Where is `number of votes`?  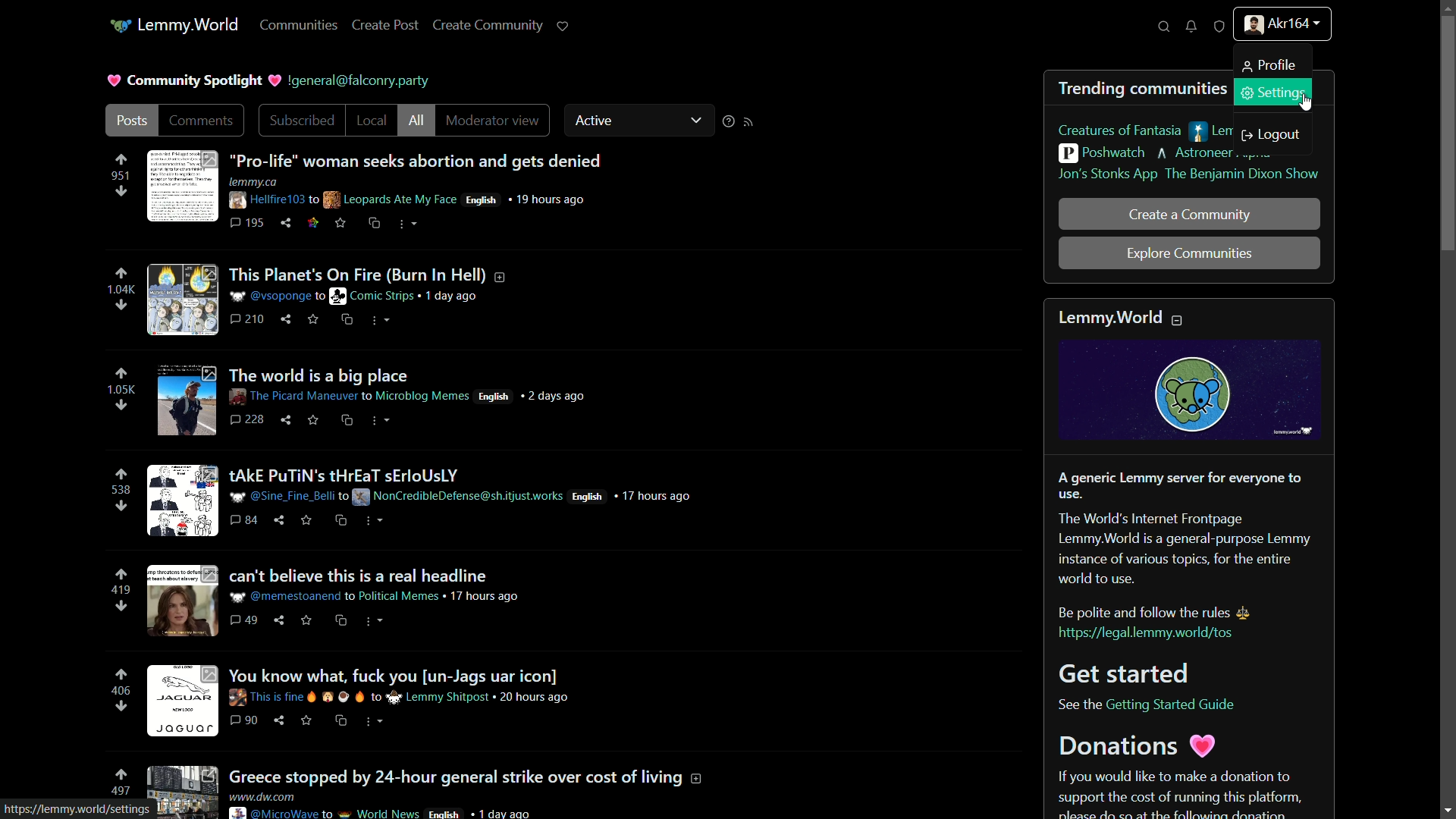 number of votes is located at coordinates (121, 290).